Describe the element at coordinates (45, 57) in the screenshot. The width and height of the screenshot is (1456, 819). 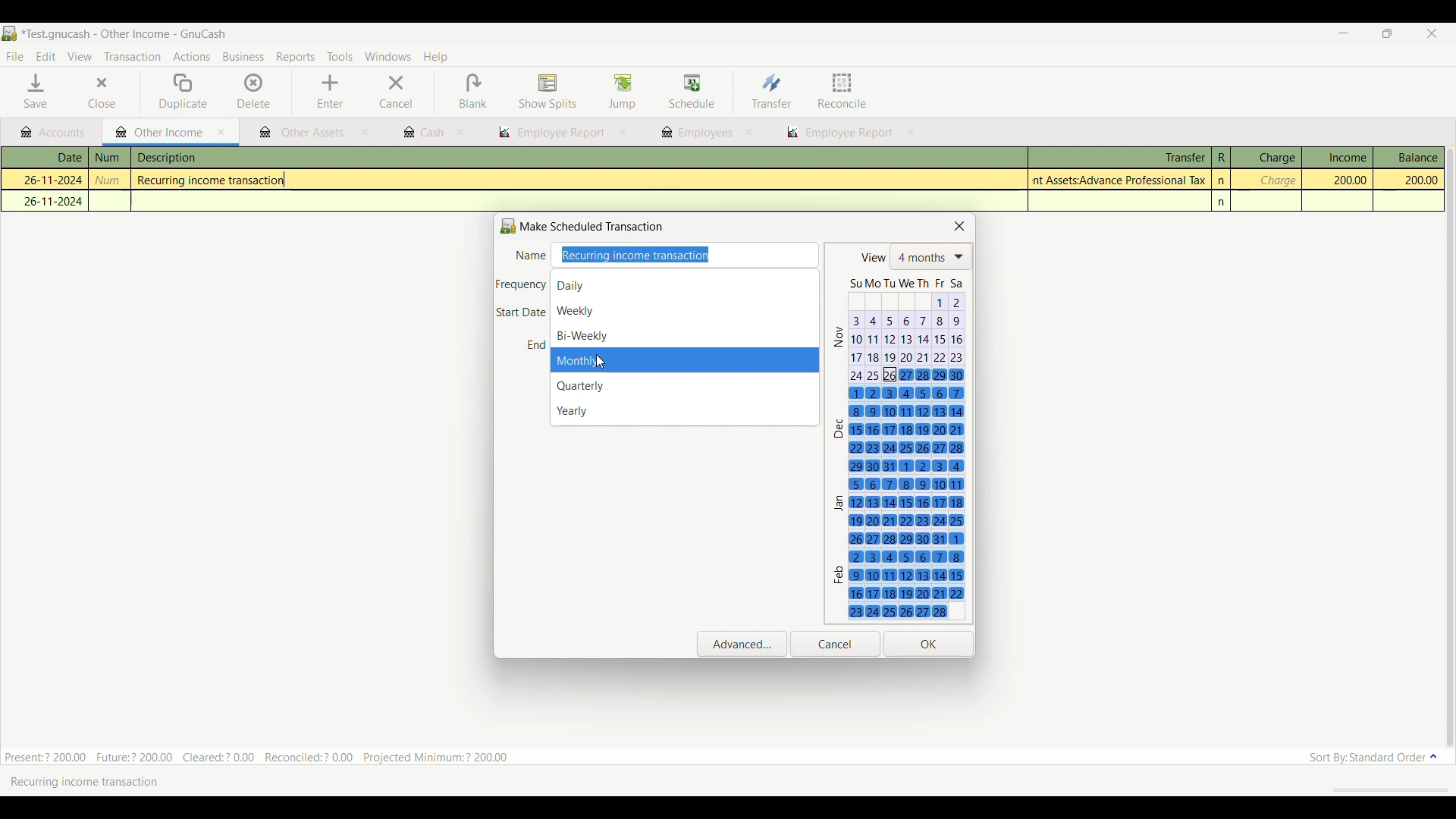
I see `Edit menu` at that location.